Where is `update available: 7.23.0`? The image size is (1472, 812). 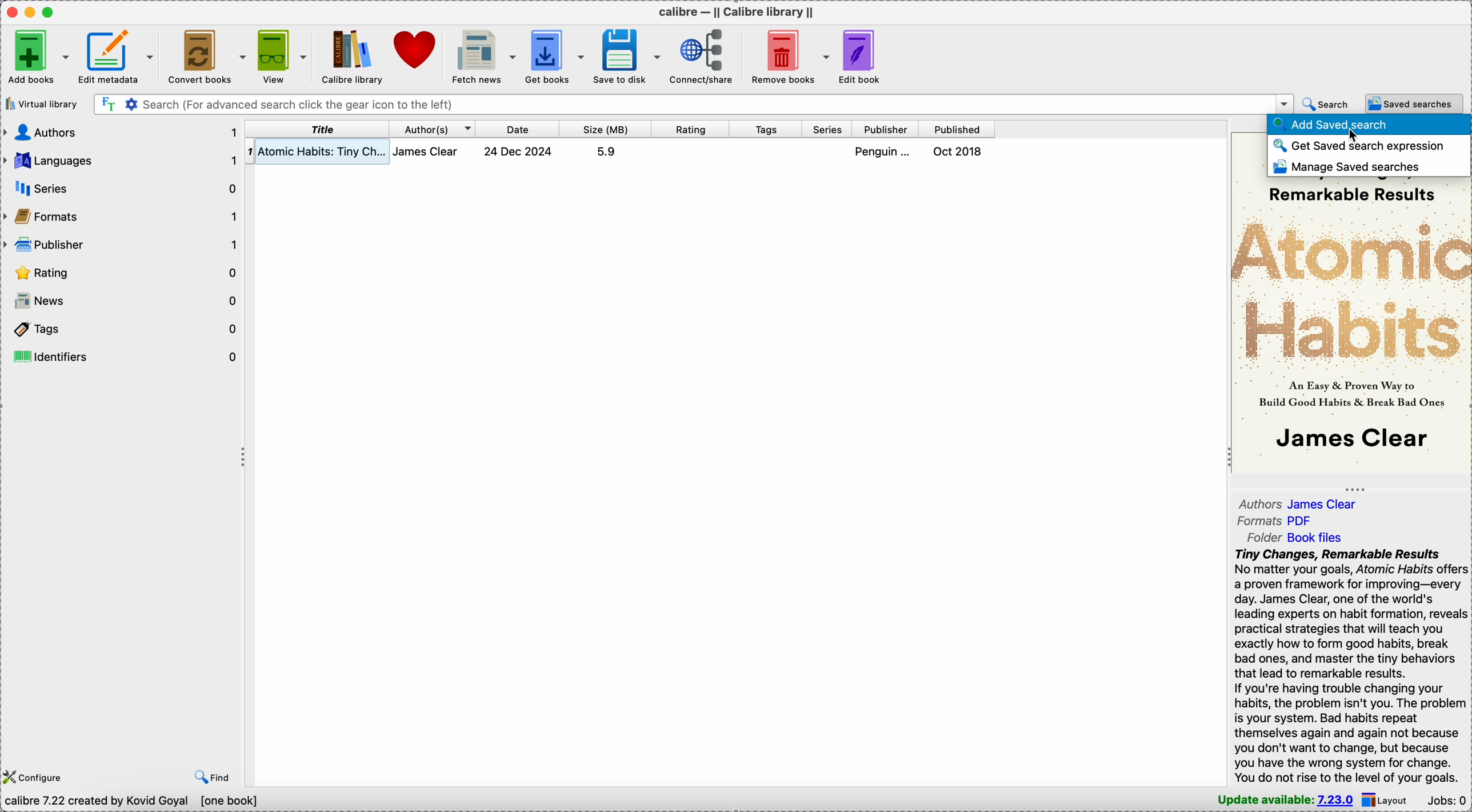 update available: 7.23.0 is located at coordinates (1281, 799).